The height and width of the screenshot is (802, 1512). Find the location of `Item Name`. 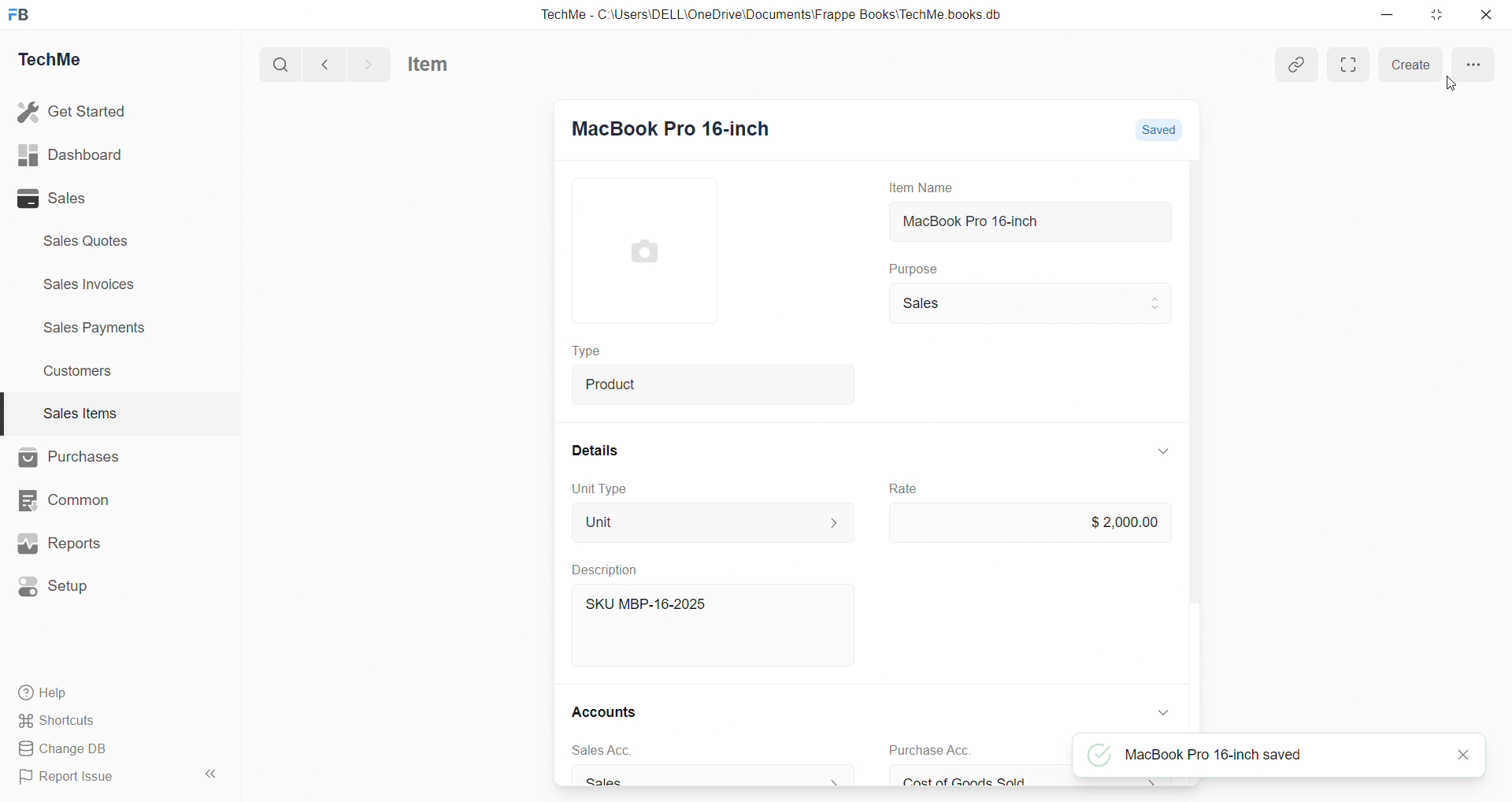

Item Name is located at coordinates (919, 188).